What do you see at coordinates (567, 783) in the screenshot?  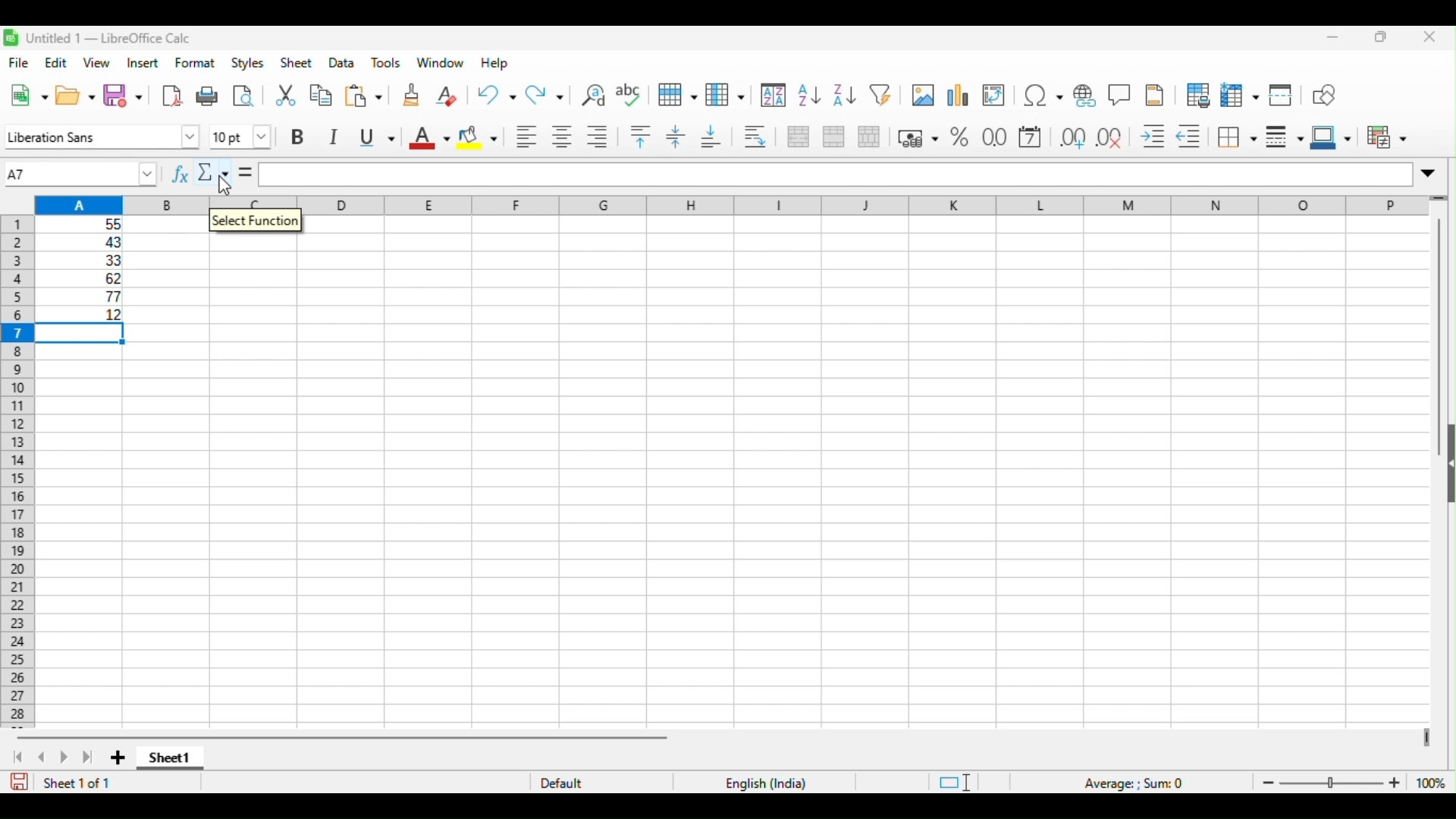 I see `default` at bounding box center [567, 783].